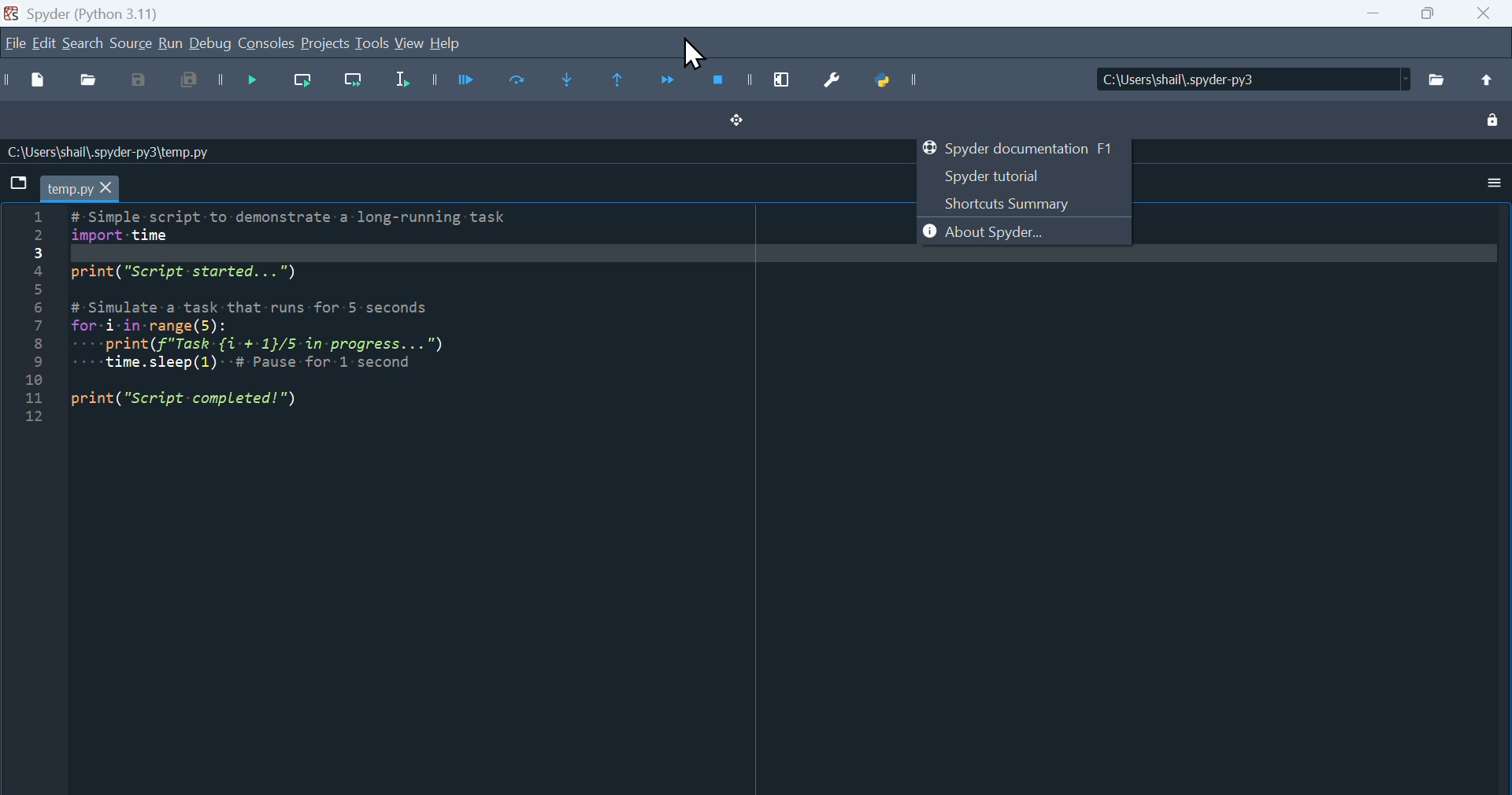 This screenshot has height=795, width=1512. What do you see at coordinates (519, 79) in the screenshot?
I see `Run current cell` at bounding box center [519, 79].